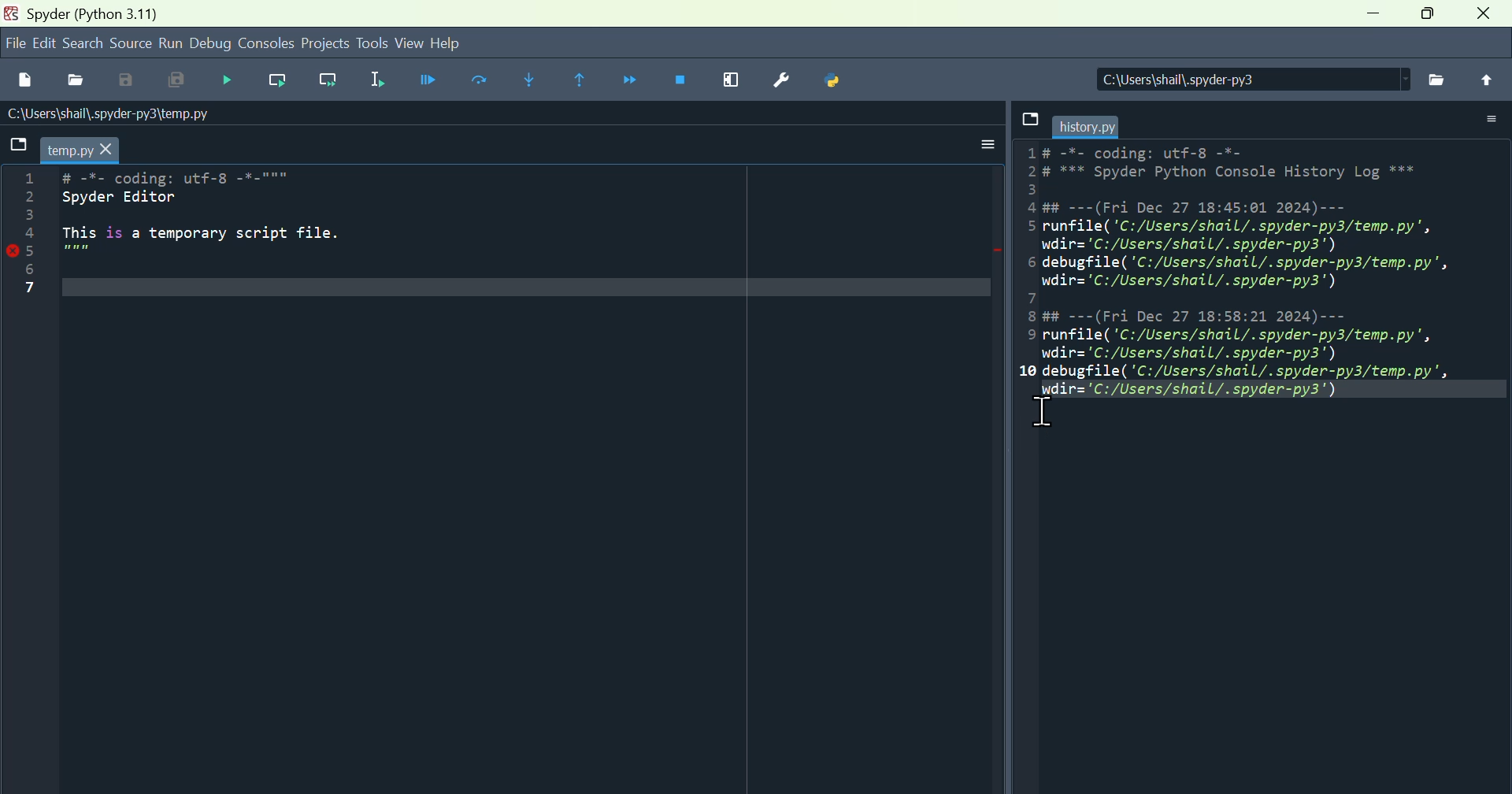 Image resolution: width=1512 pixels, height=794 pixels. What do you see at coordinates (1238, 79) in the screenshot?
I see `Location of the file` at bounding box center [1238, 79].